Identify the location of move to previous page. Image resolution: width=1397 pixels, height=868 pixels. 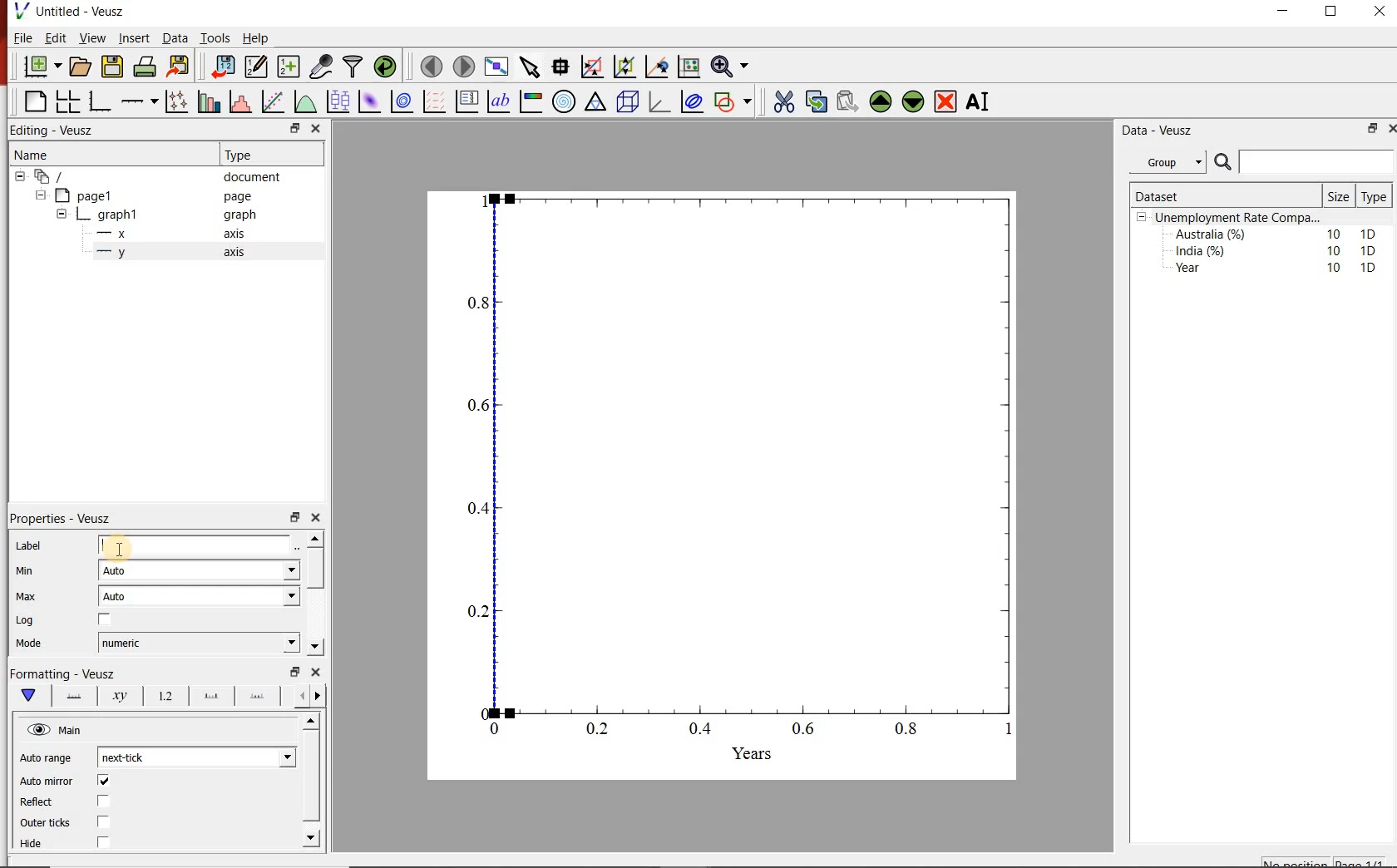
(432, 65).